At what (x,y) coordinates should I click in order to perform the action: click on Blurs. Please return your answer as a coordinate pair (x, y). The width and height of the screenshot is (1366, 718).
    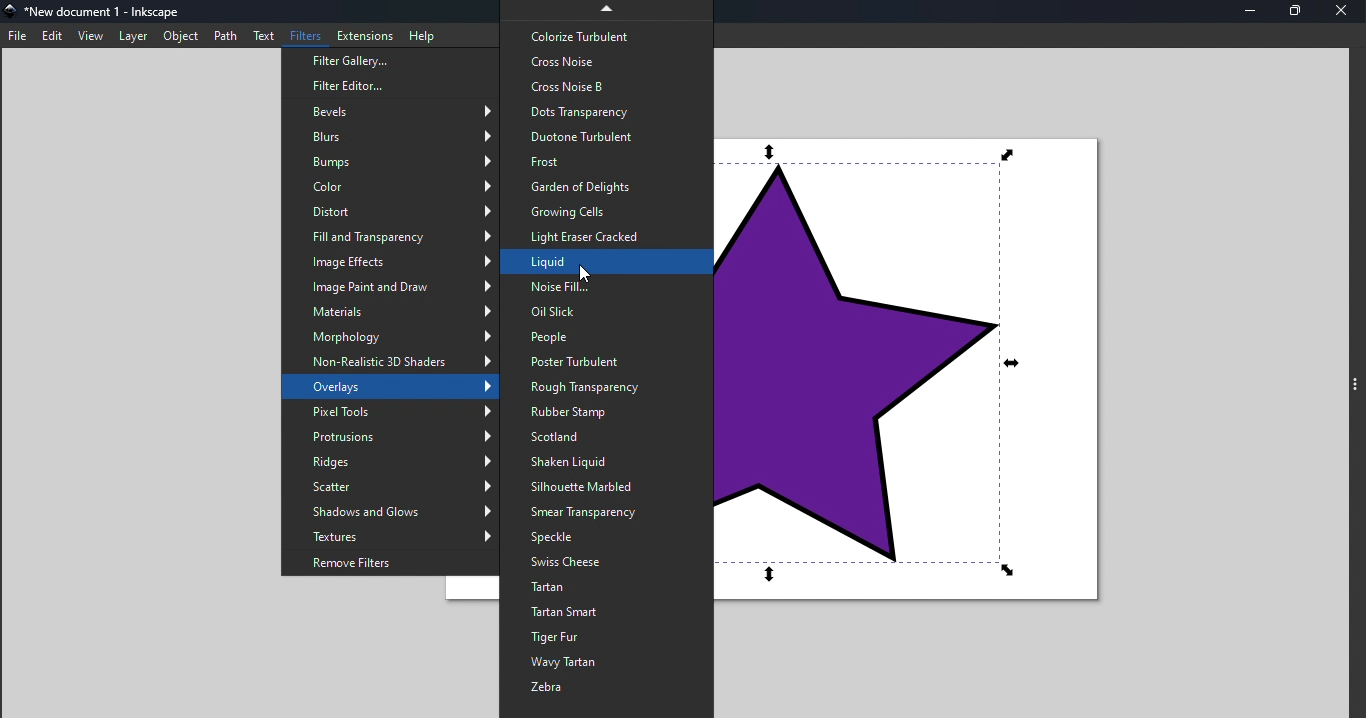
    Looking at the image, I should click on (387, 137).